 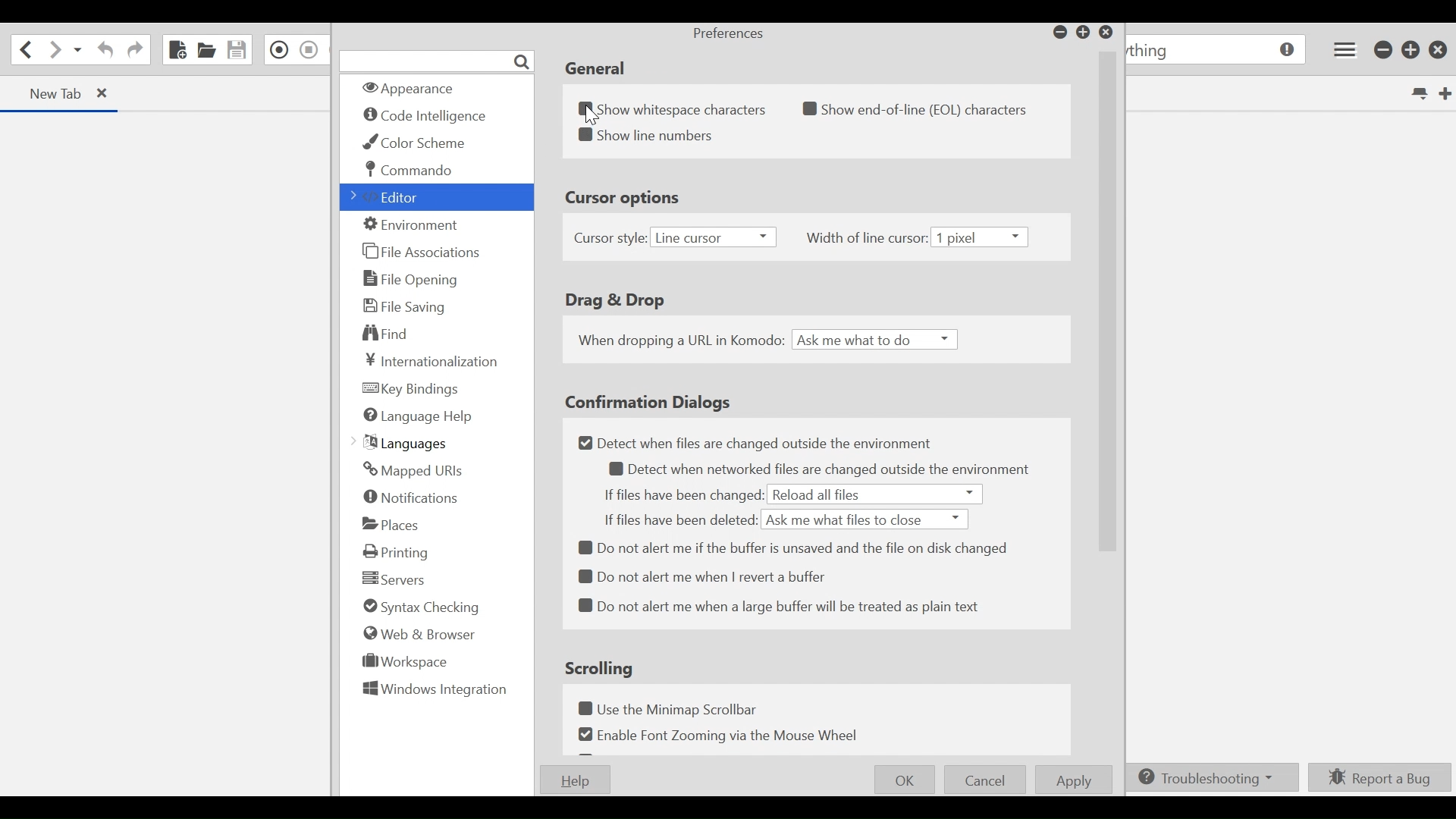 What do you see at coordinates (105, 51) in the screenshot?
I see `Undo last action` at bounding box center [105, 51].